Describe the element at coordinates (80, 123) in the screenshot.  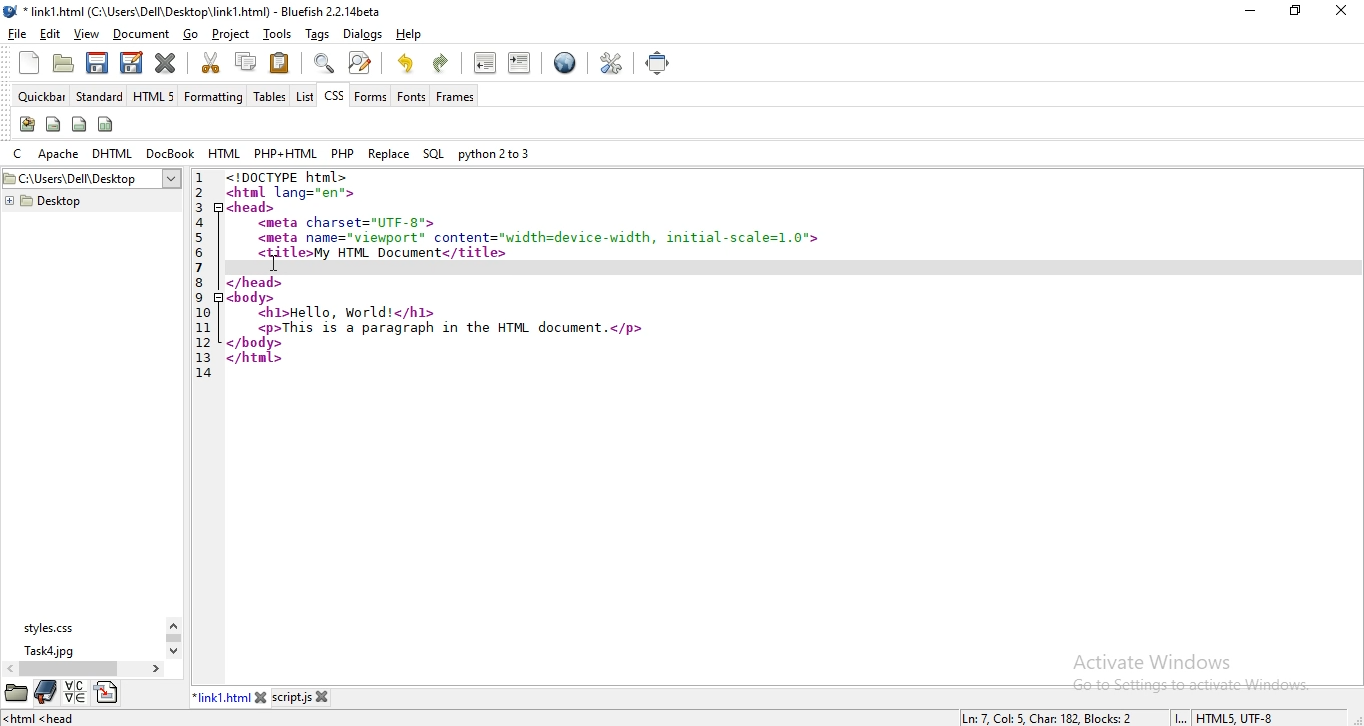
I see `div` at that location.